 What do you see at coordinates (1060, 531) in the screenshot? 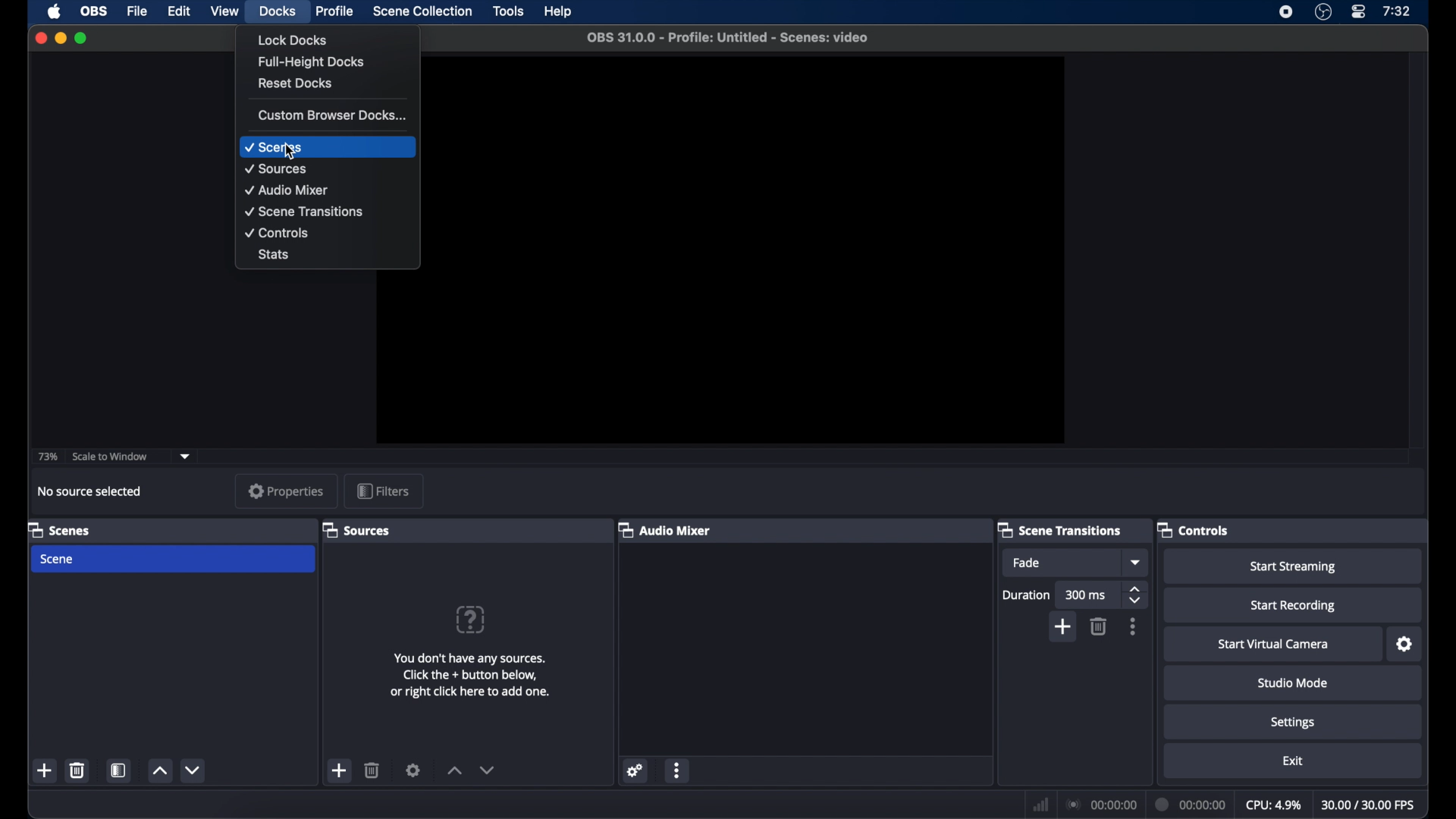
I see `scene transitions` at bounding box center [1060, 531].